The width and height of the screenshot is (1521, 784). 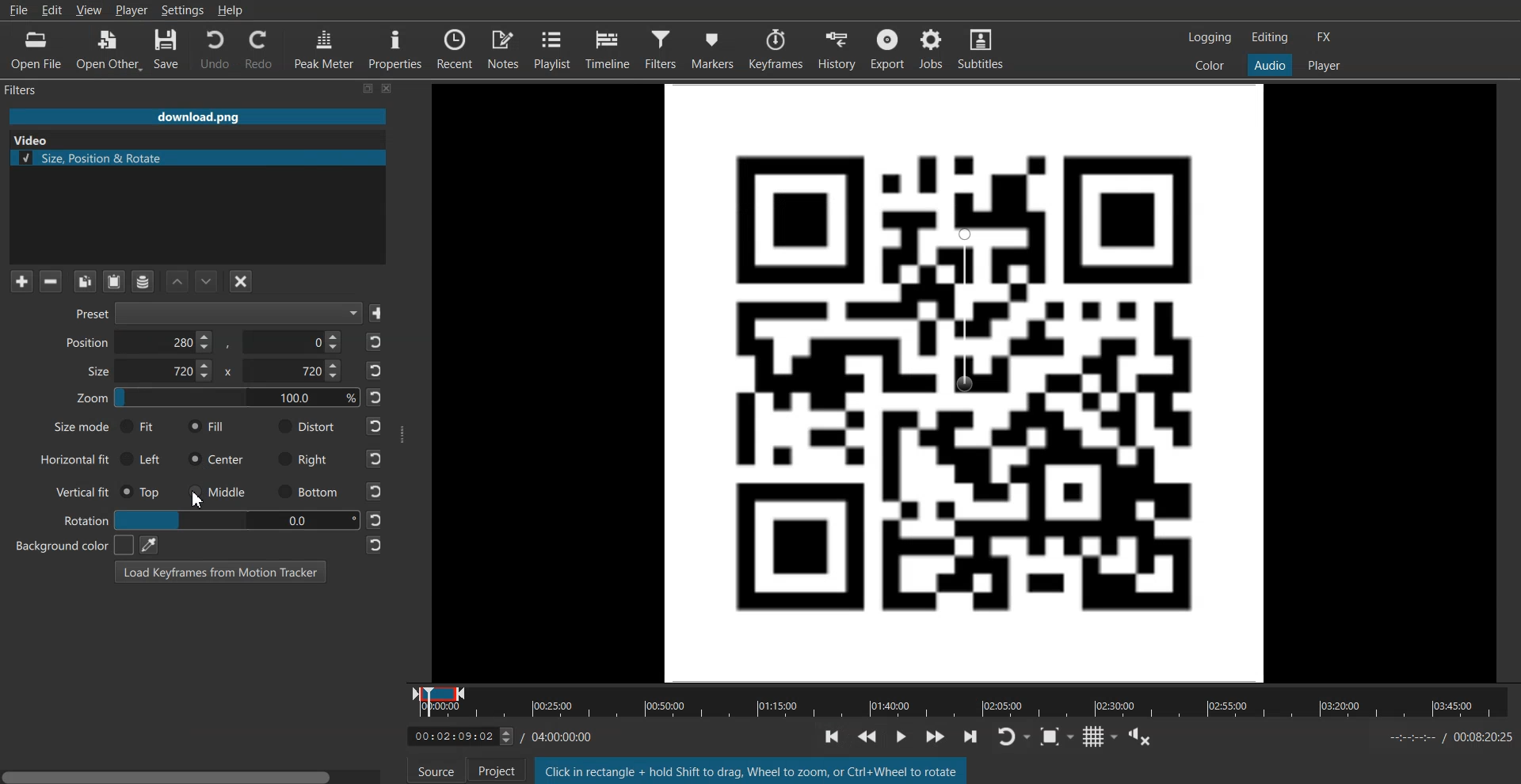 What do you see at coordinates (169, 49) in the screenshot?
I see `Save` at bounding box center [169, 49].